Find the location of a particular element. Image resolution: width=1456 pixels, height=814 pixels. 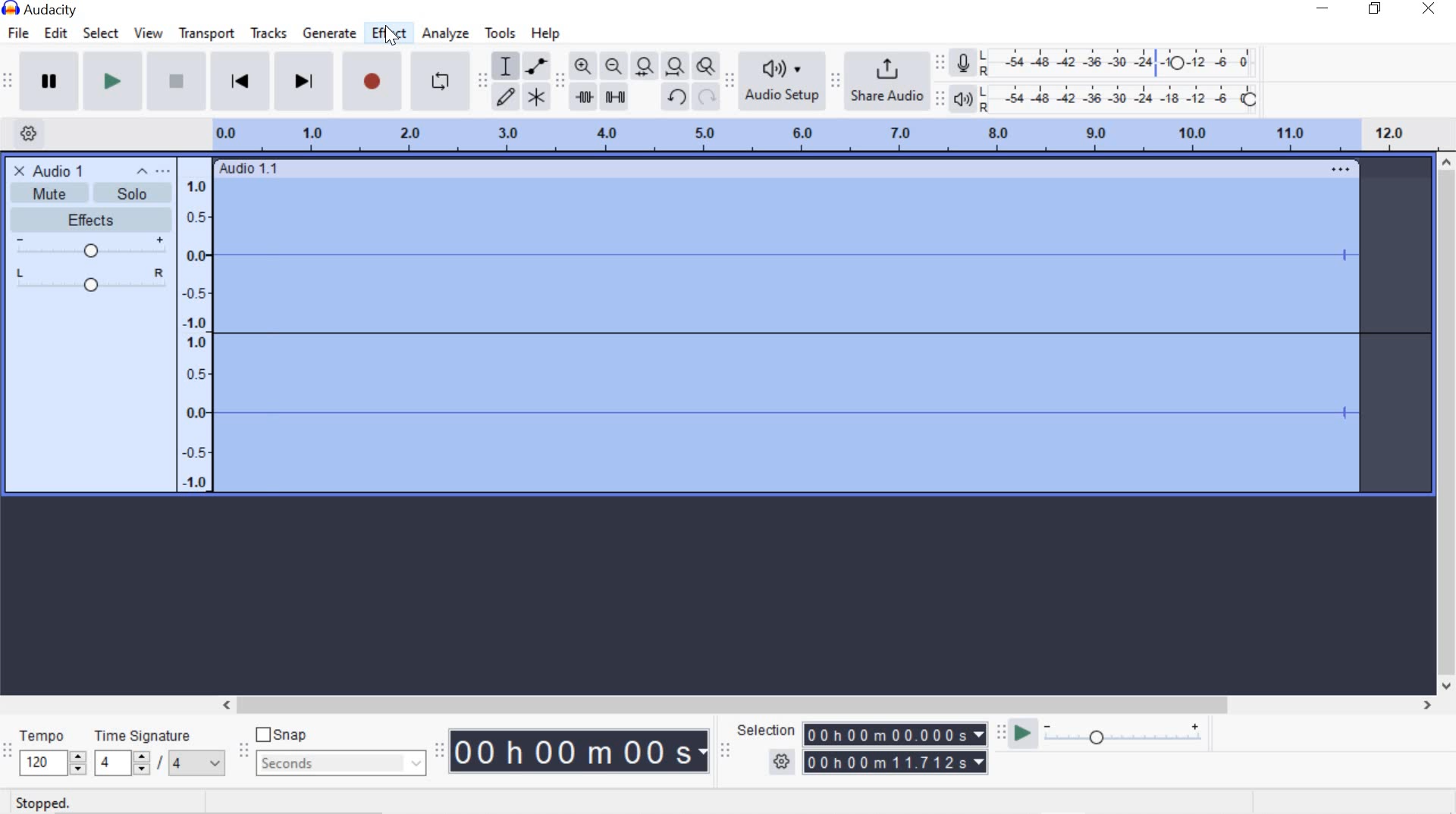

Selection time is located at coordinates (898, 749).